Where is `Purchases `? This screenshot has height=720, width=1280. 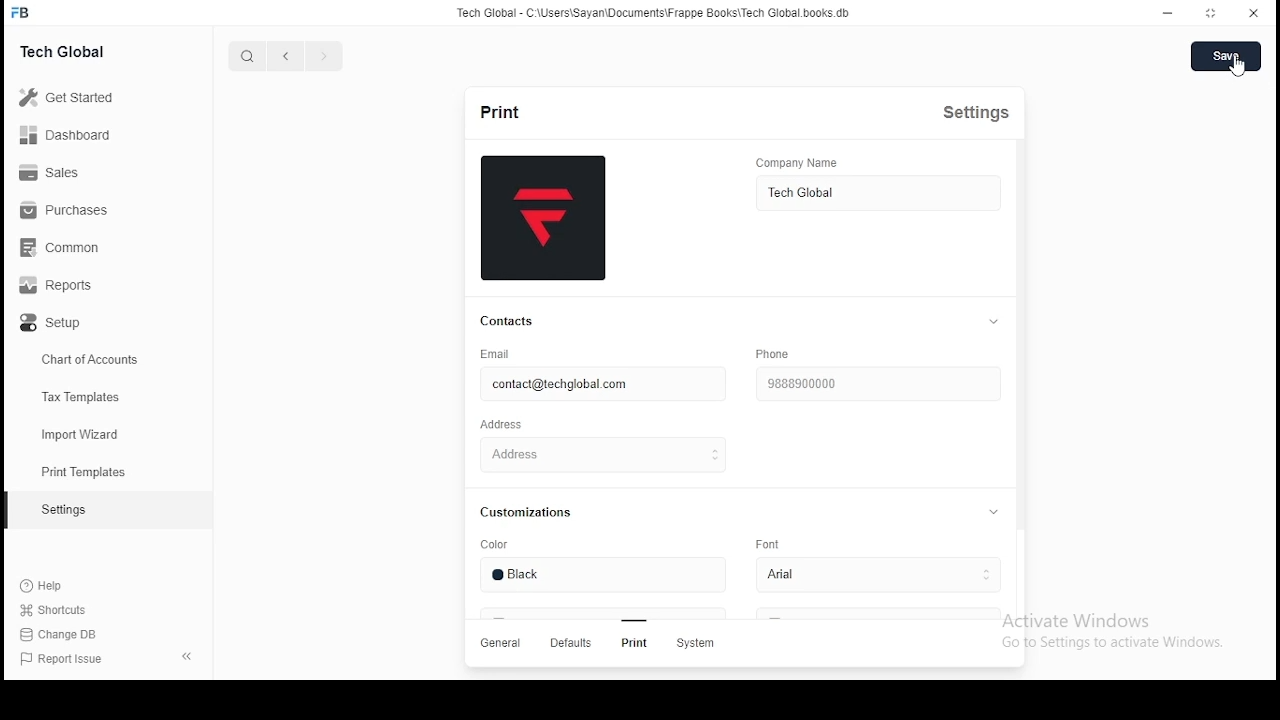
Purchases  is located at coordinates (80, 214).